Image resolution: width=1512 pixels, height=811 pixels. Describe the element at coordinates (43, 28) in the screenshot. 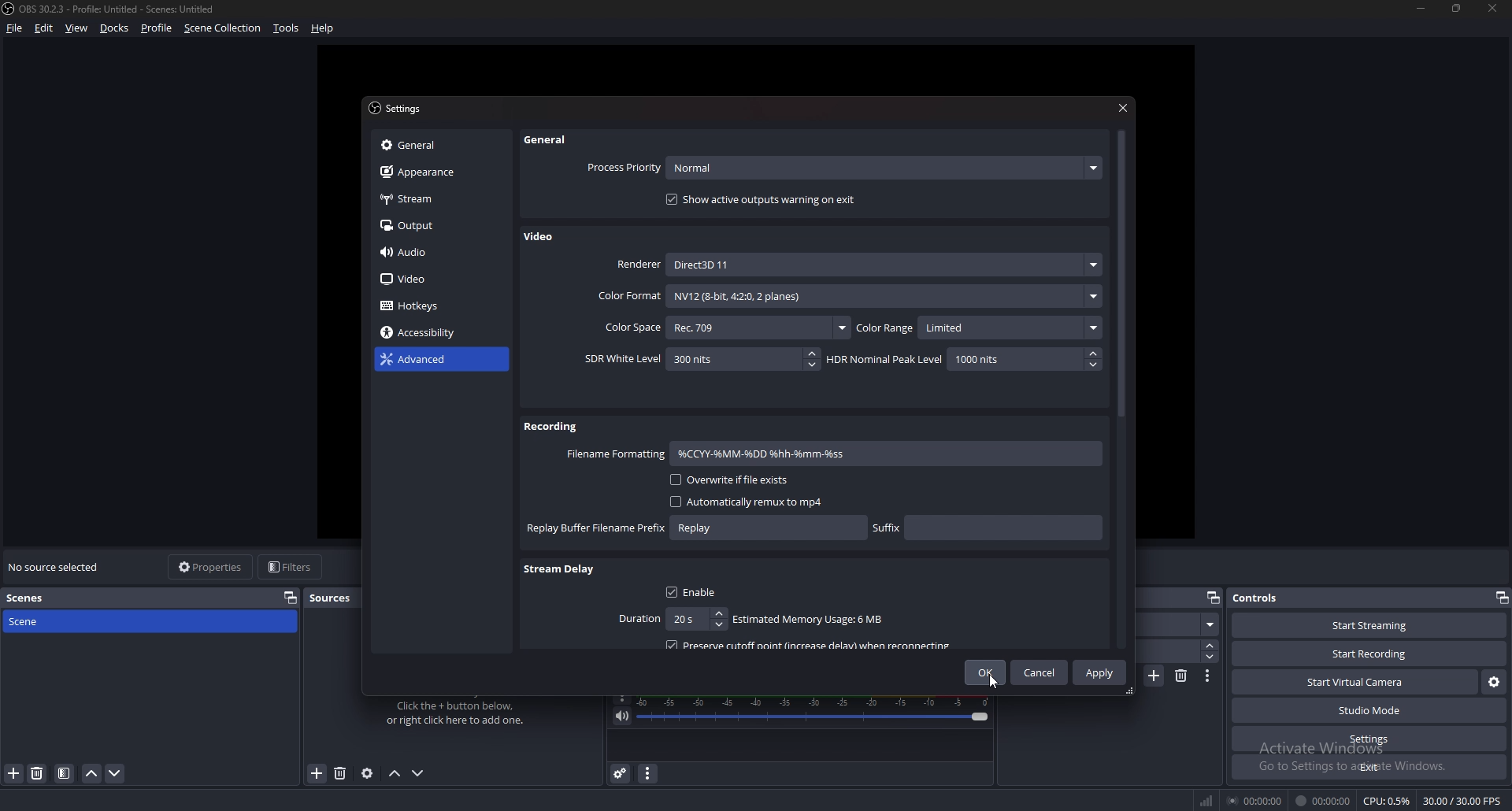

I see `edit` at that location.